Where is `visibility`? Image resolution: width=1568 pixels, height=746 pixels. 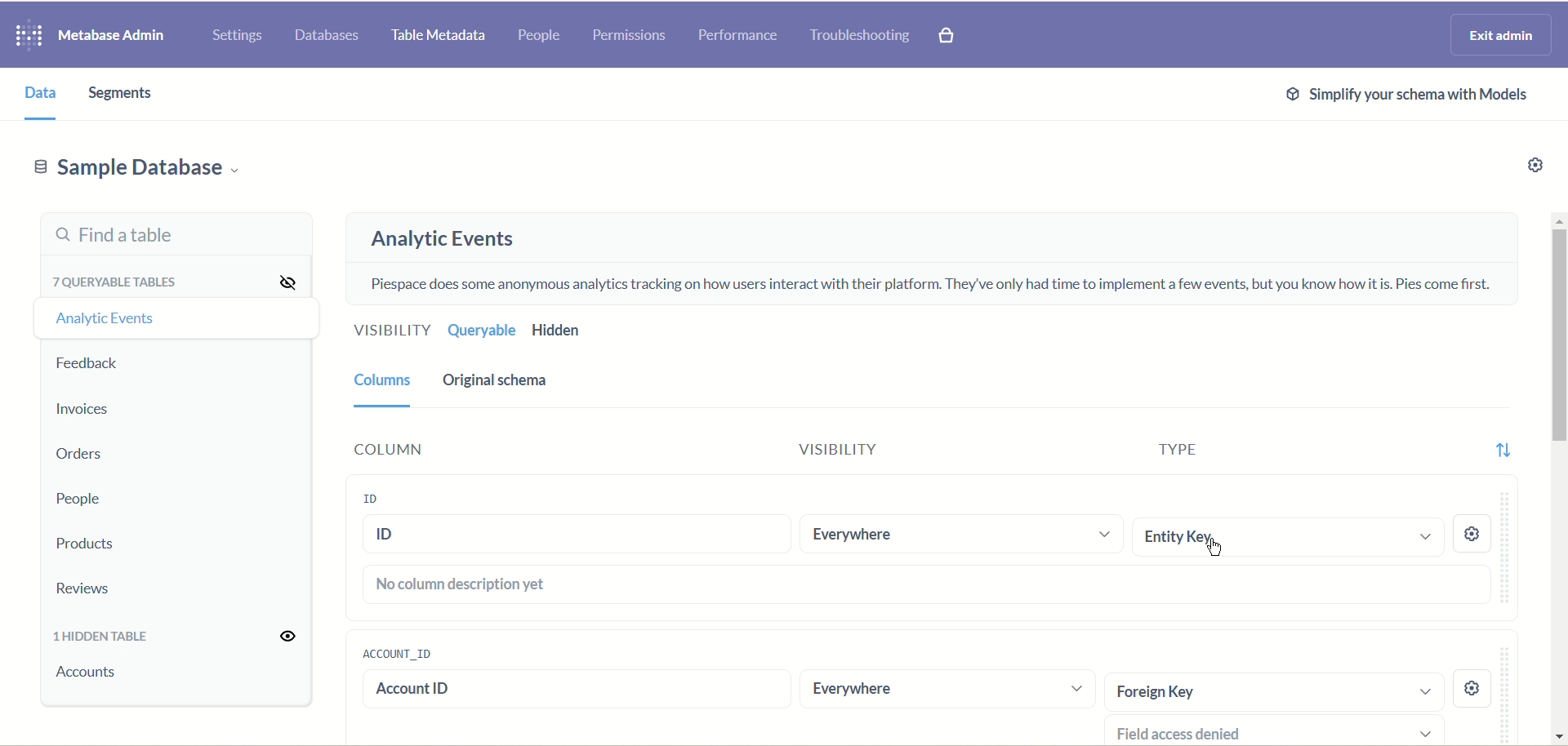
visibility is located at coordinates (286, 280).